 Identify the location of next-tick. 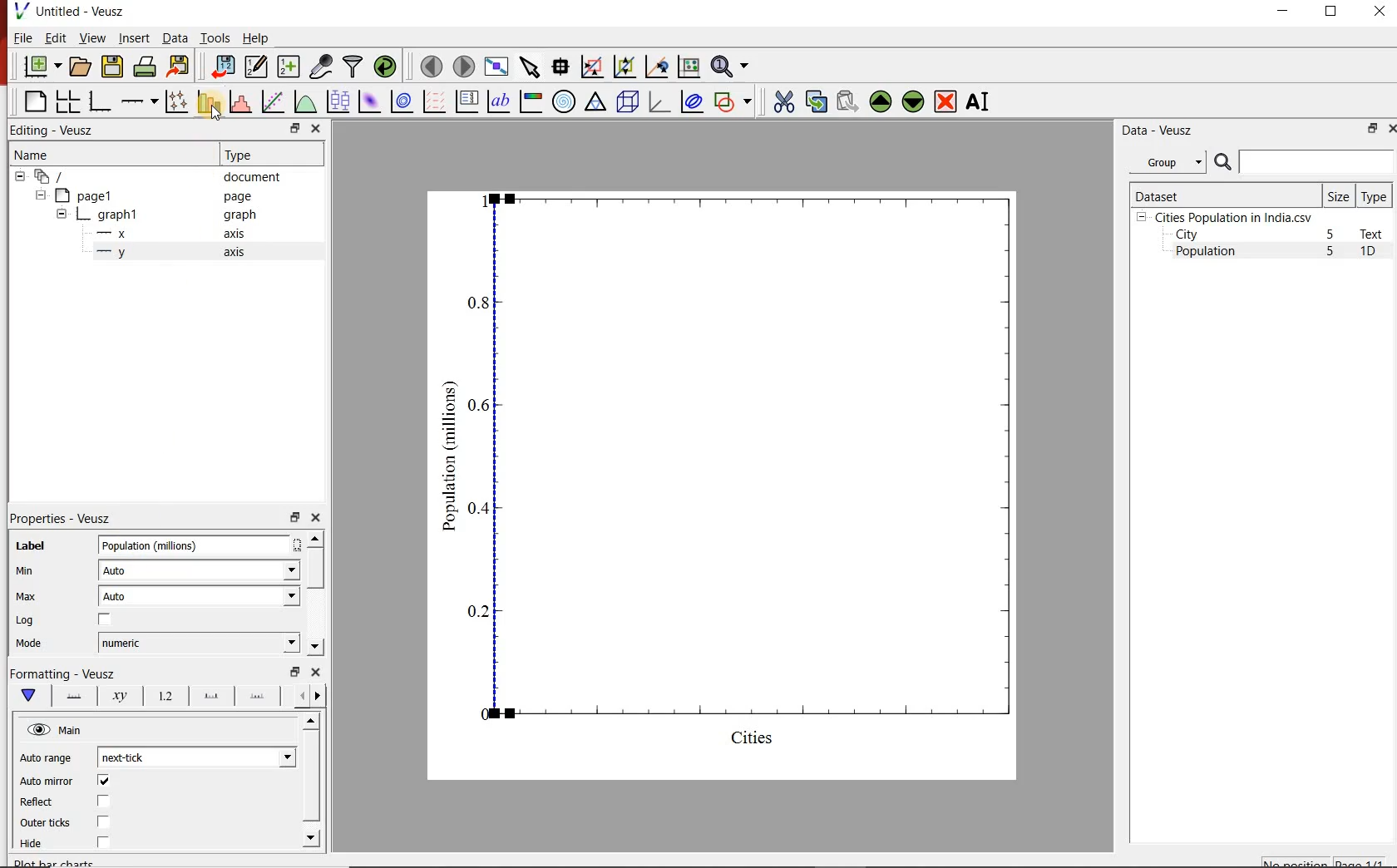
(195, 757).